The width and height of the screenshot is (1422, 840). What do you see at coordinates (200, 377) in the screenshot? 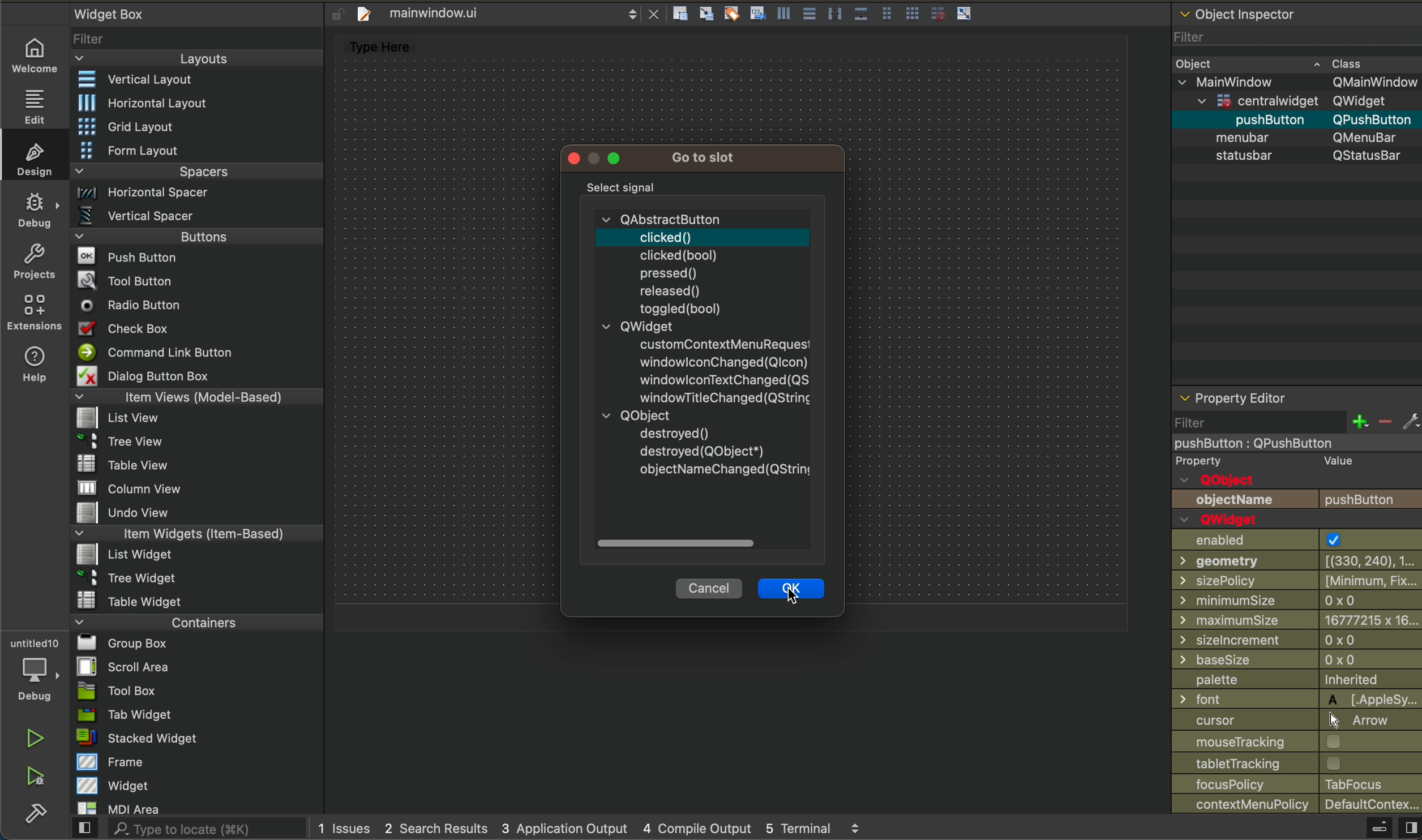
I see `dialog button` at bounding box center [200, 377].